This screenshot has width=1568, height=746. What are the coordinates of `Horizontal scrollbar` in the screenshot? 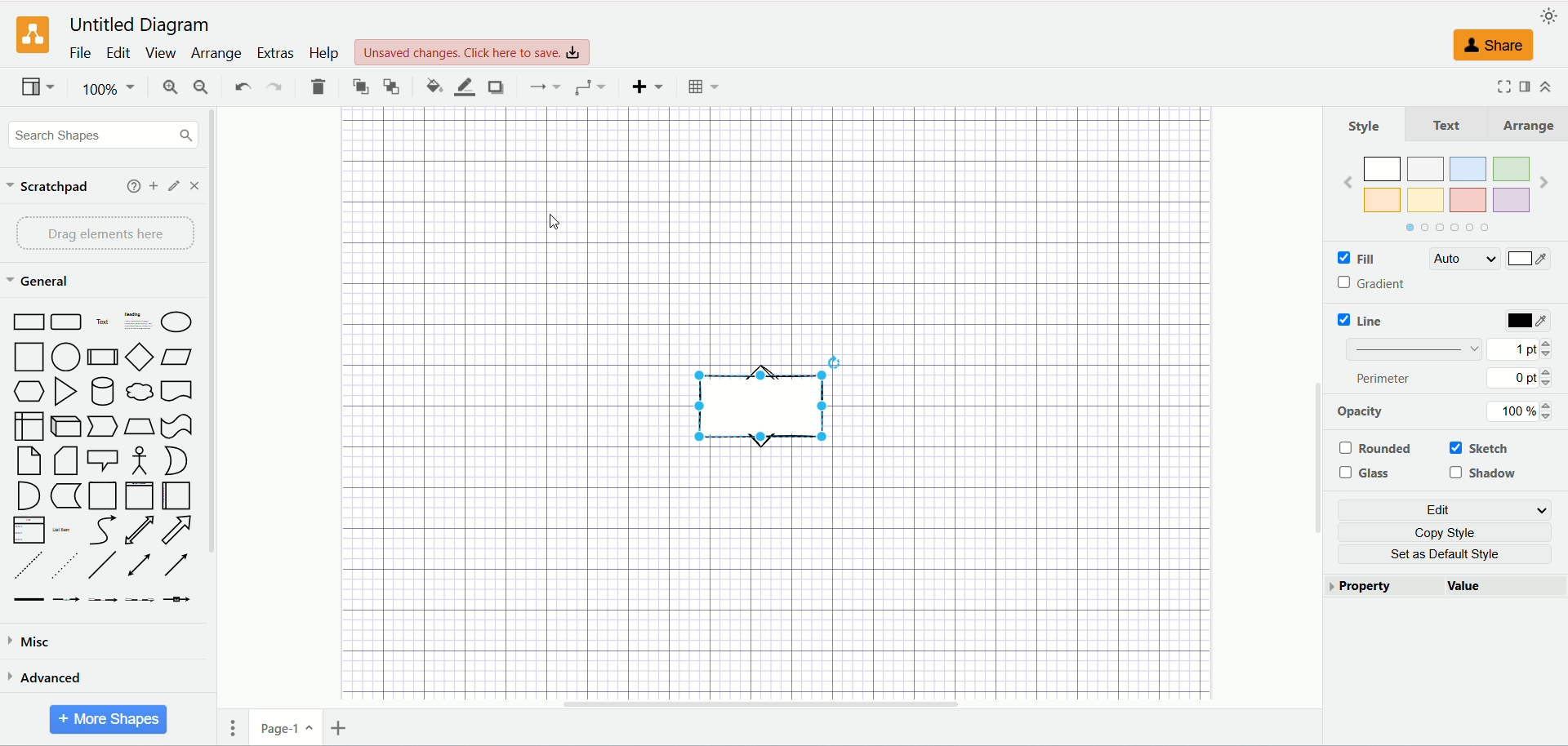 It's located at (759, 704).